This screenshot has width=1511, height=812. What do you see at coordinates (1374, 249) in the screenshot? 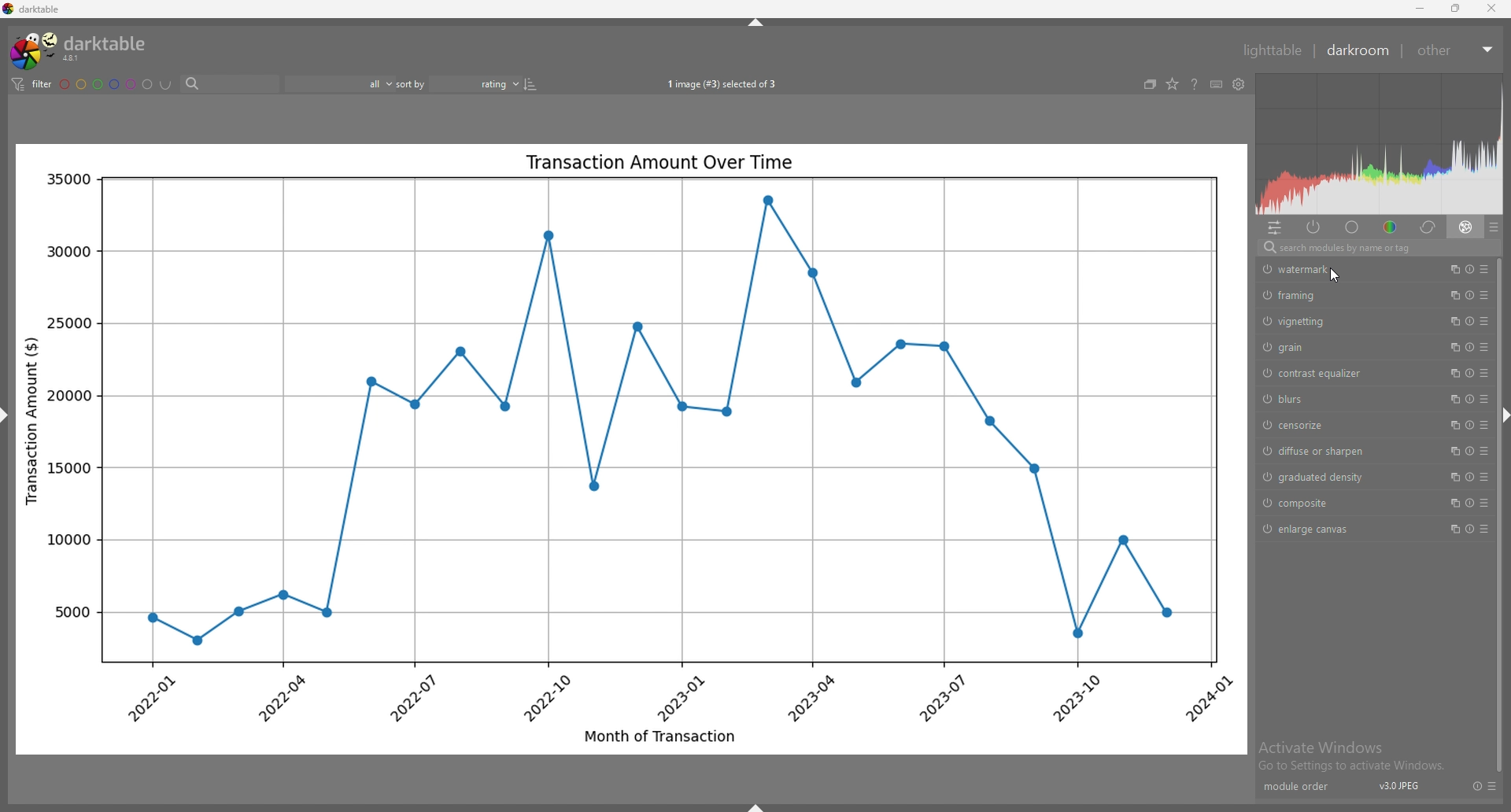
I see `search bar` at bounding box center [1374, 249].